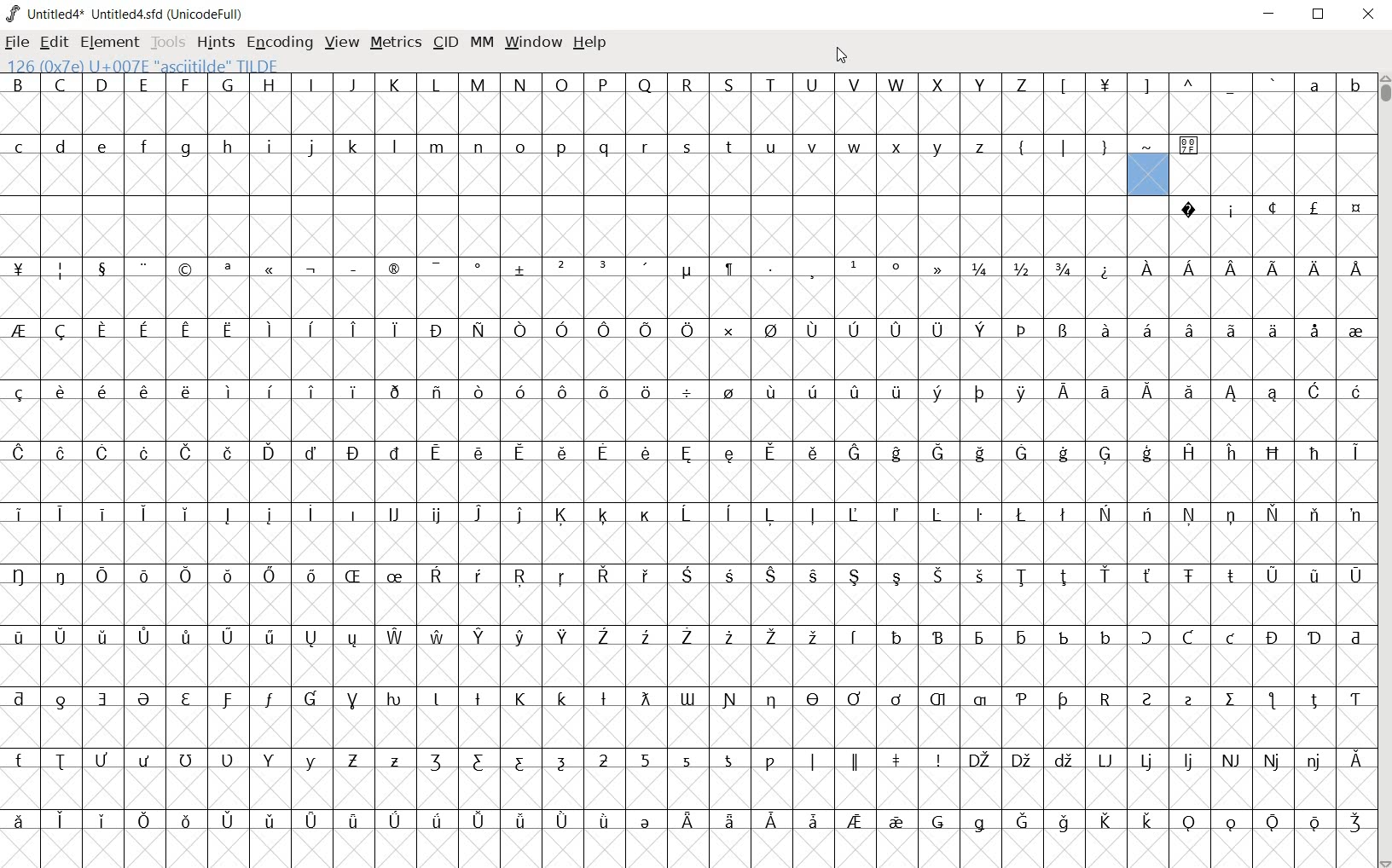  What do you see at coordinates (395, 42) in the screenshot?
I see `METRICS` at bounding box center [395, 42].